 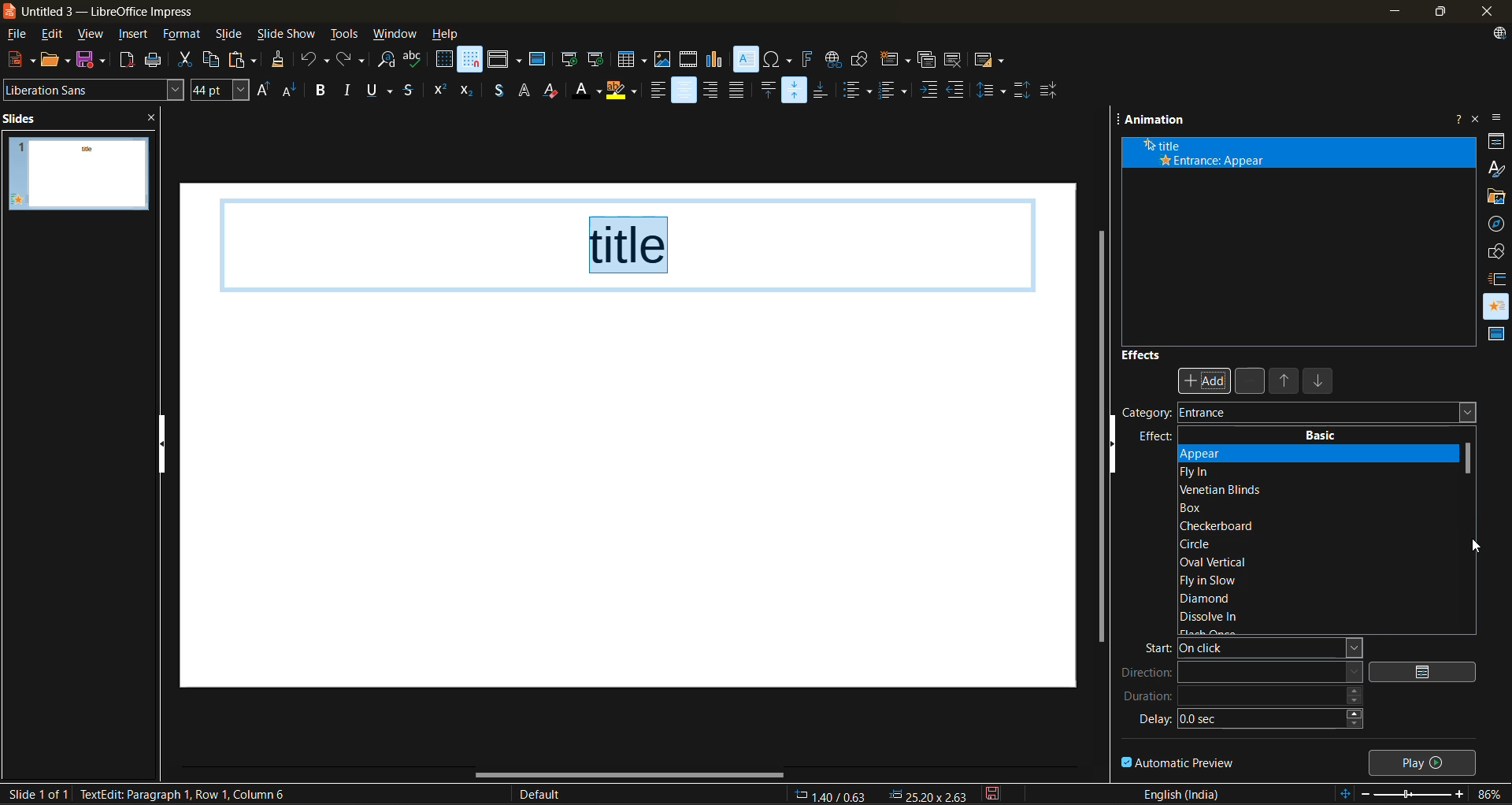 What do you see at coordinates (1317, 432) in the screenshot?
I see `basic` at bounding box center [1317, 432].